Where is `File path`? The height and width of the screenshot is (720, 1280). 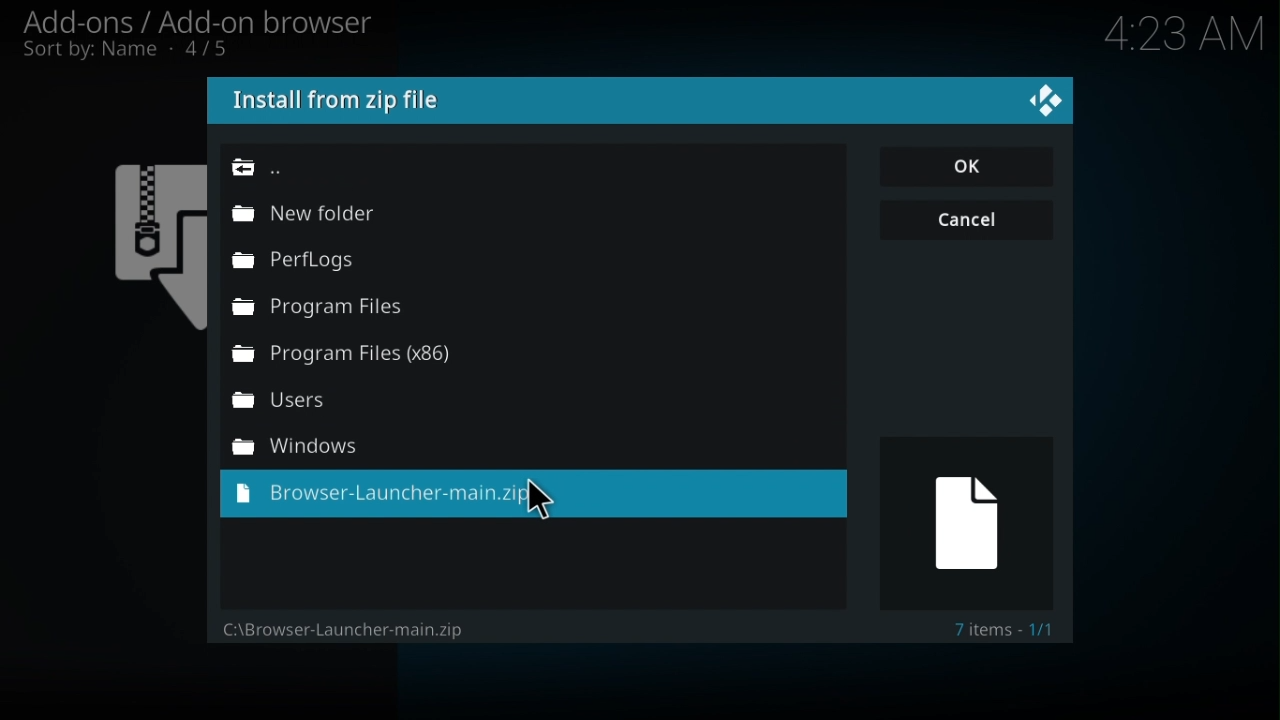 File path is located at coordinates (343, 630).